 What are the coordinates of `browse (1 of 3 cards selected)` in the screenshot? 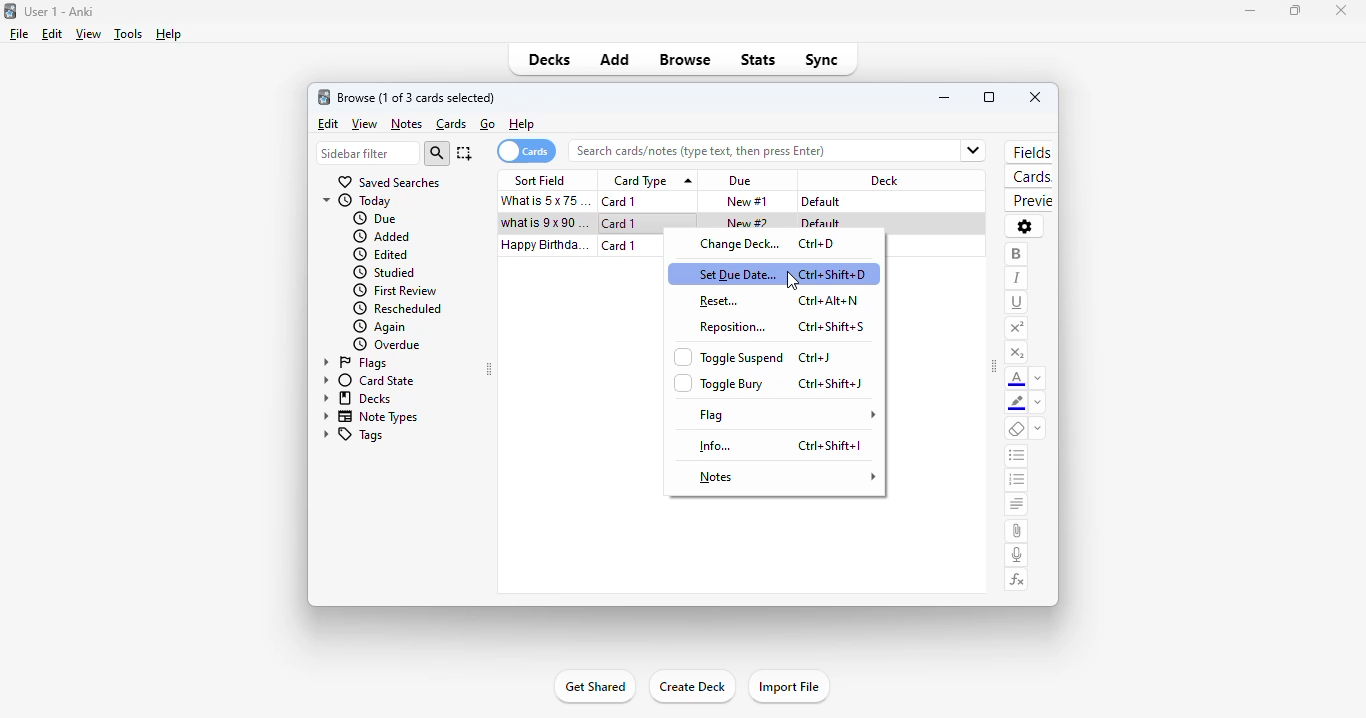 It's located at (416, 97).